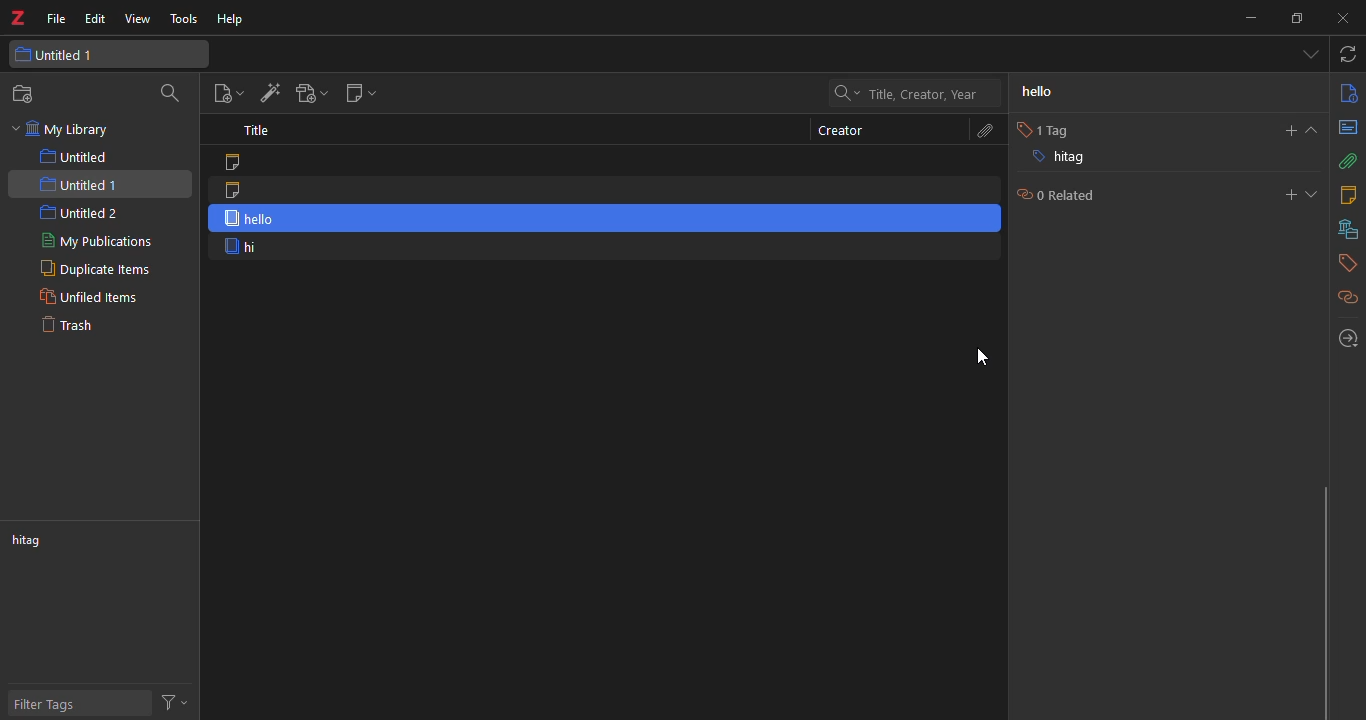  Describe the element at coordinates (57, 20) in the screenshot. I see `file` at that location.